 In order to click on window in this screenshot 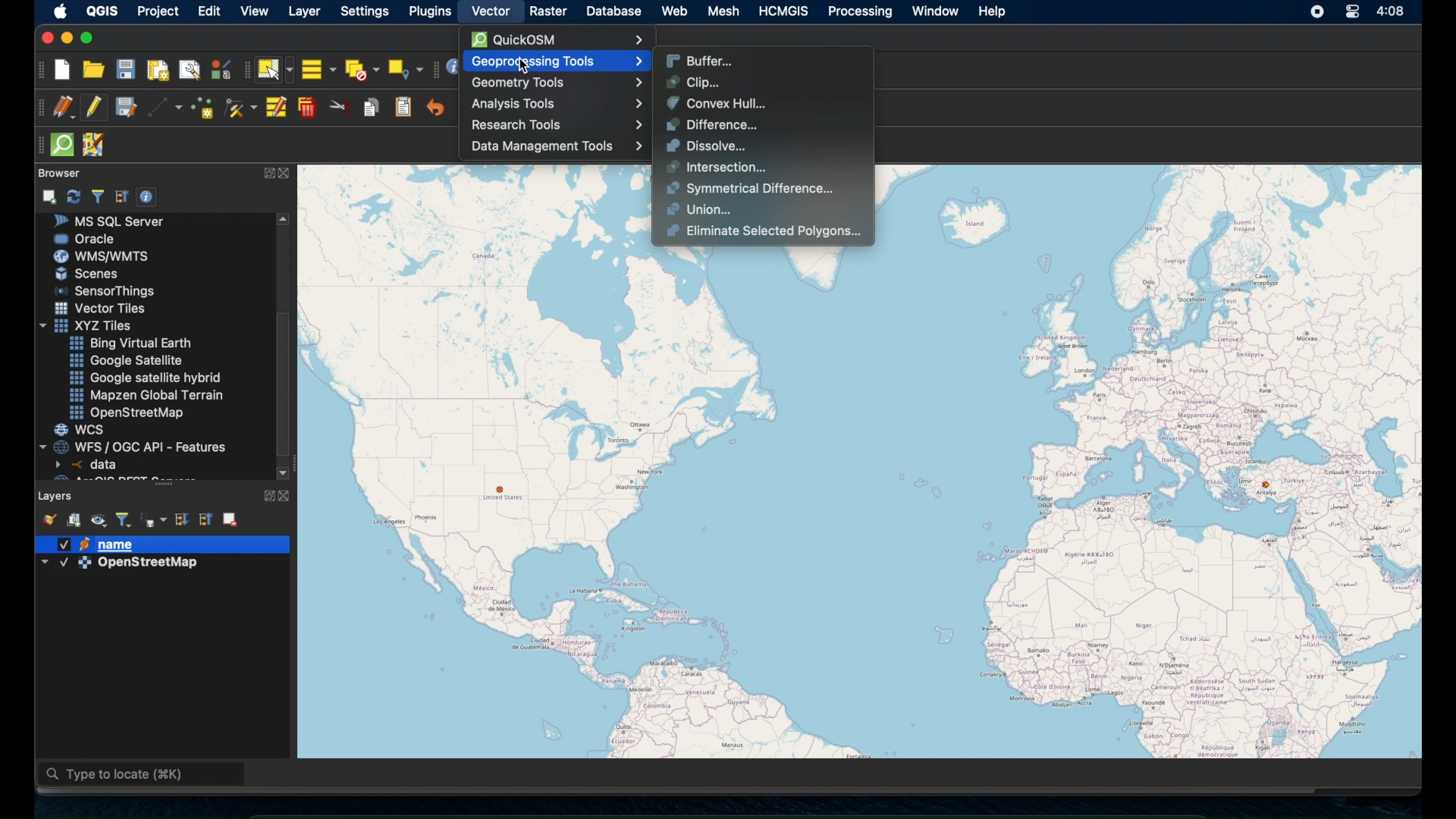, I will do `click(934, 11)`.